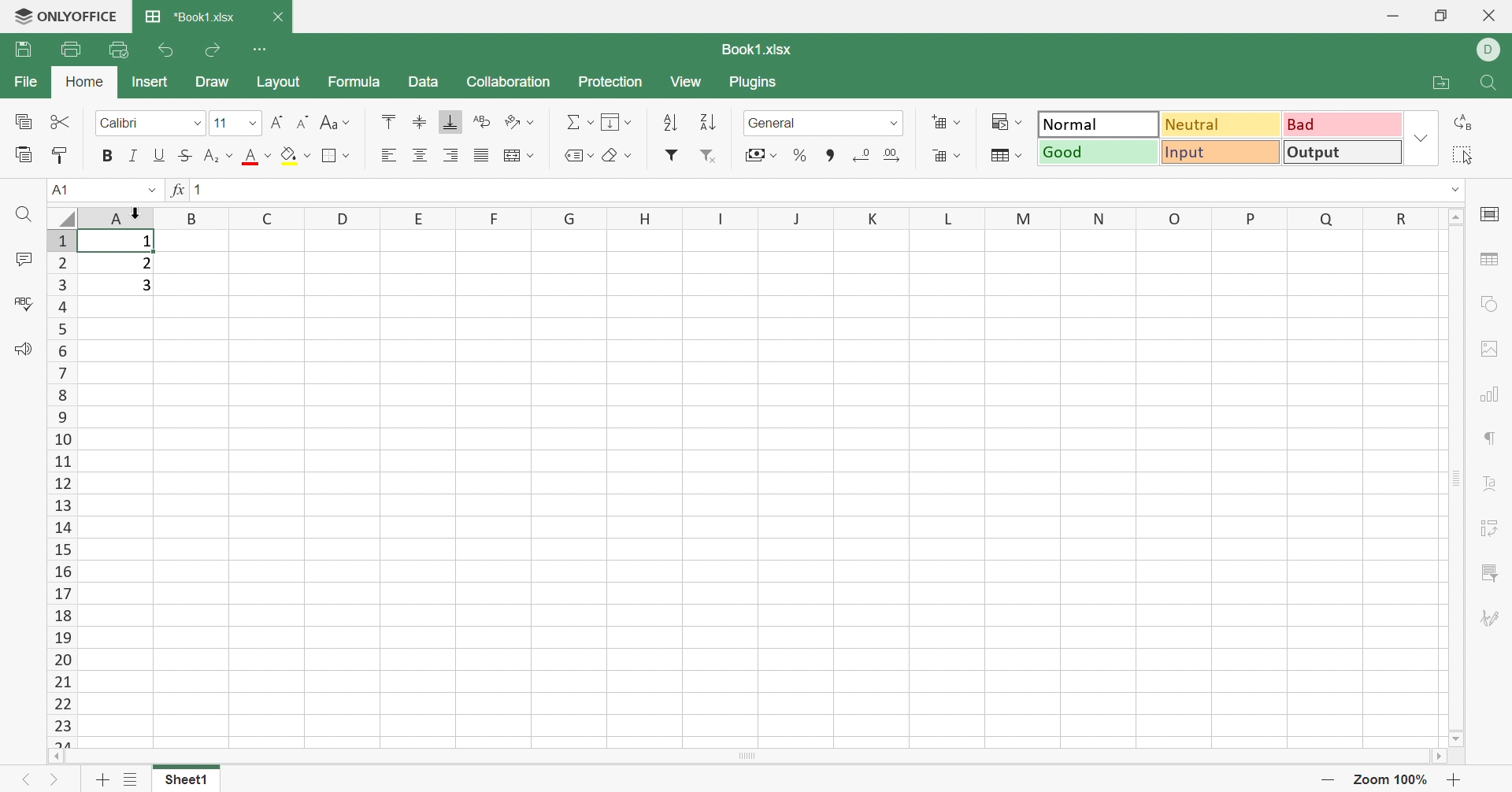 This screenshot has width=1512, height=792. What do you see at coordinates (762, 154) in the screenshot?
I see `Accountant style` at bounding box center [762, 154].